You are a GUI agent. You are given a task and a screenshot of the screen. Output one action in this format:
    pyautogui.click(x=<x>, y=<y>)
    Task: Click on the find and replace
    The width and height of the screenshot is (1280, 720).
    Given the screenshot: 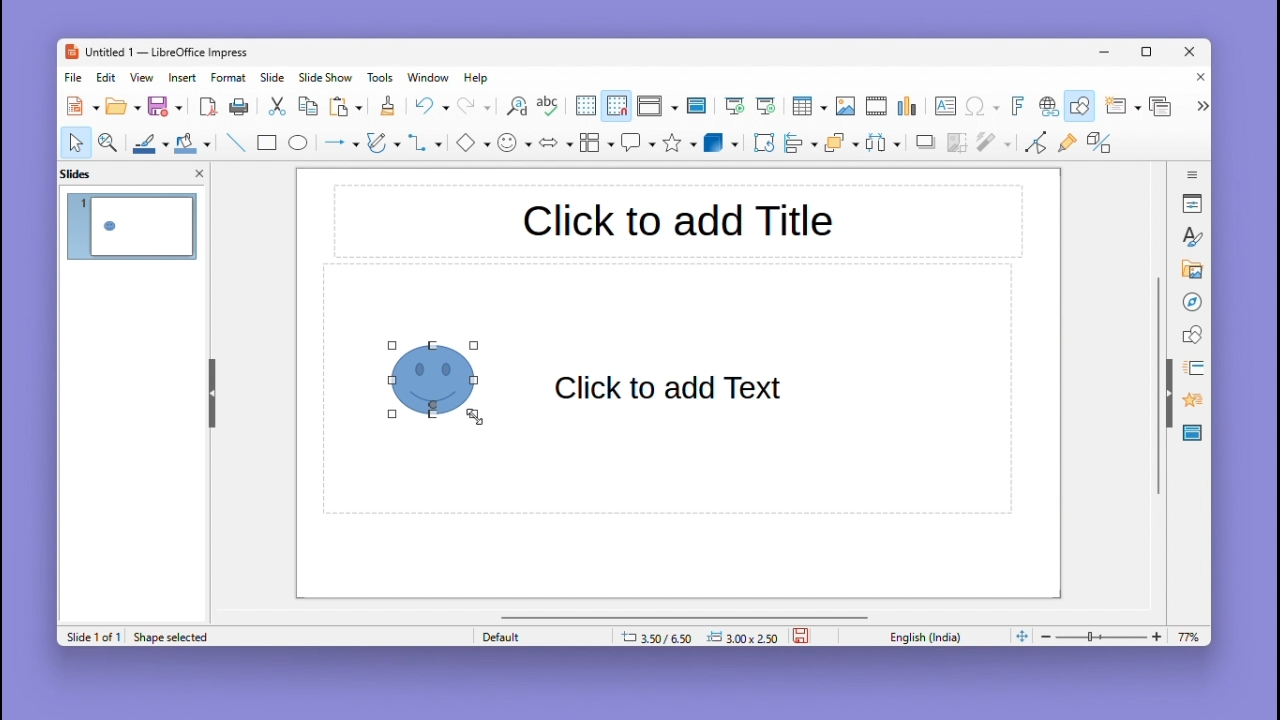 What is the action you would take?
    pyautogui.click(x=515, y=106)
    